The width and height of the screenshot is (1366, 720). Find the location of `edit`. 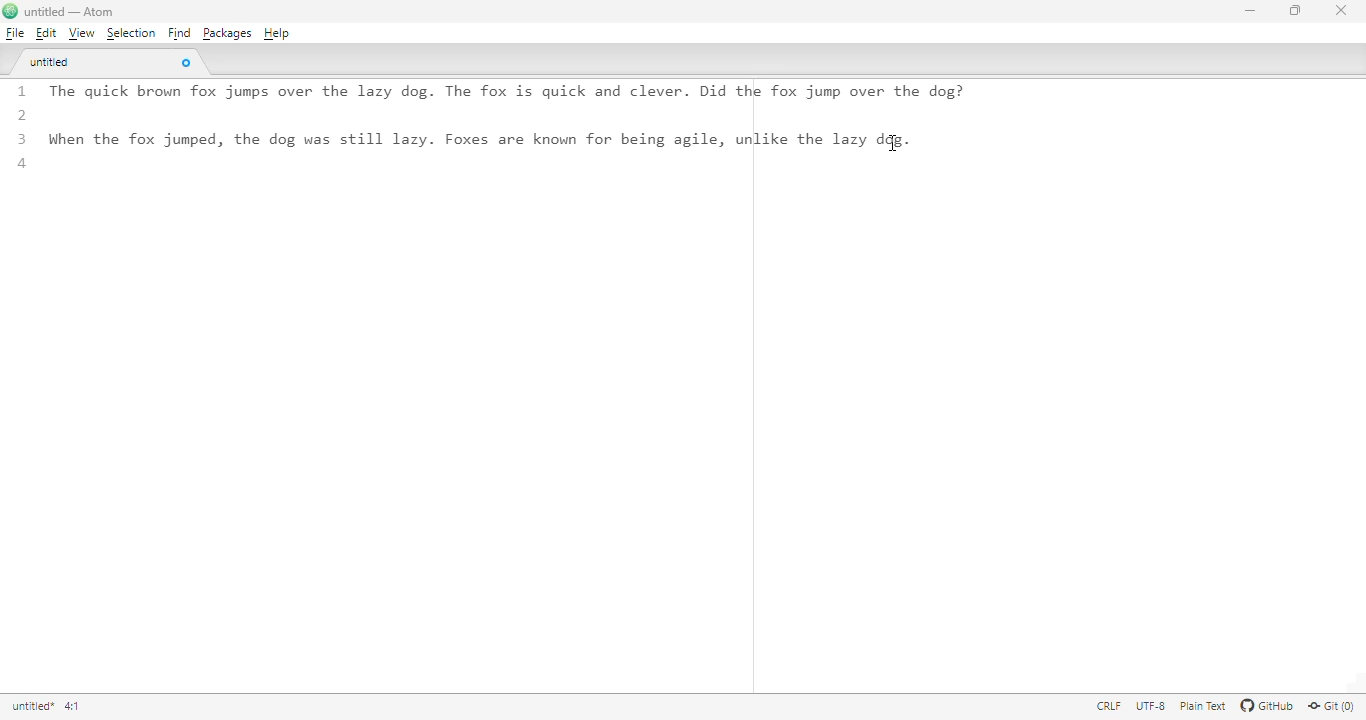

edit is located at coordinates (45, 33).